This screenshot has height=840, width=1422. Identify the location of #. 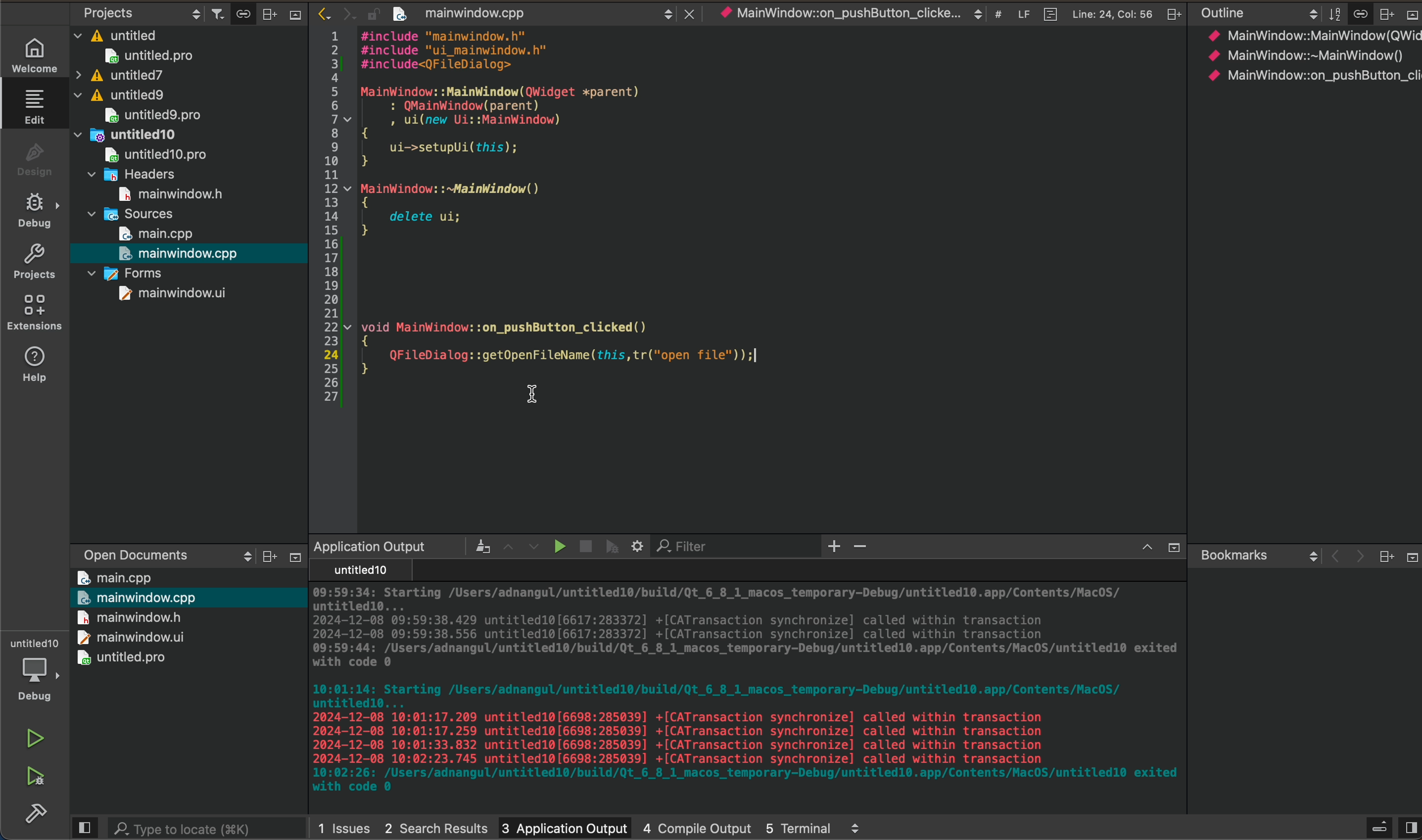
(997, 15).